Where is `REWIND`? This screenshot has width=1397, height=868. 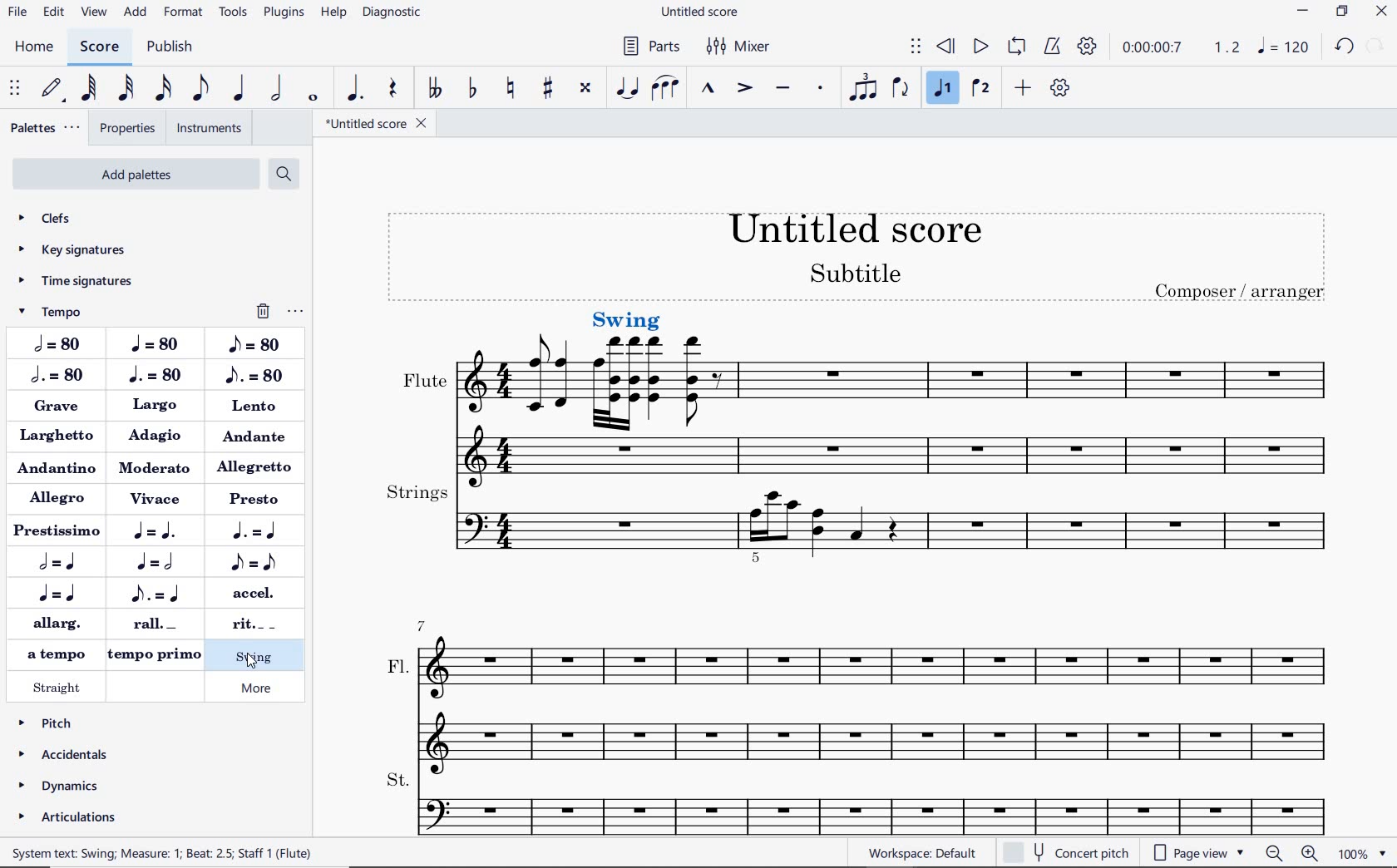
REWIND is located at coordinates (946, 45).